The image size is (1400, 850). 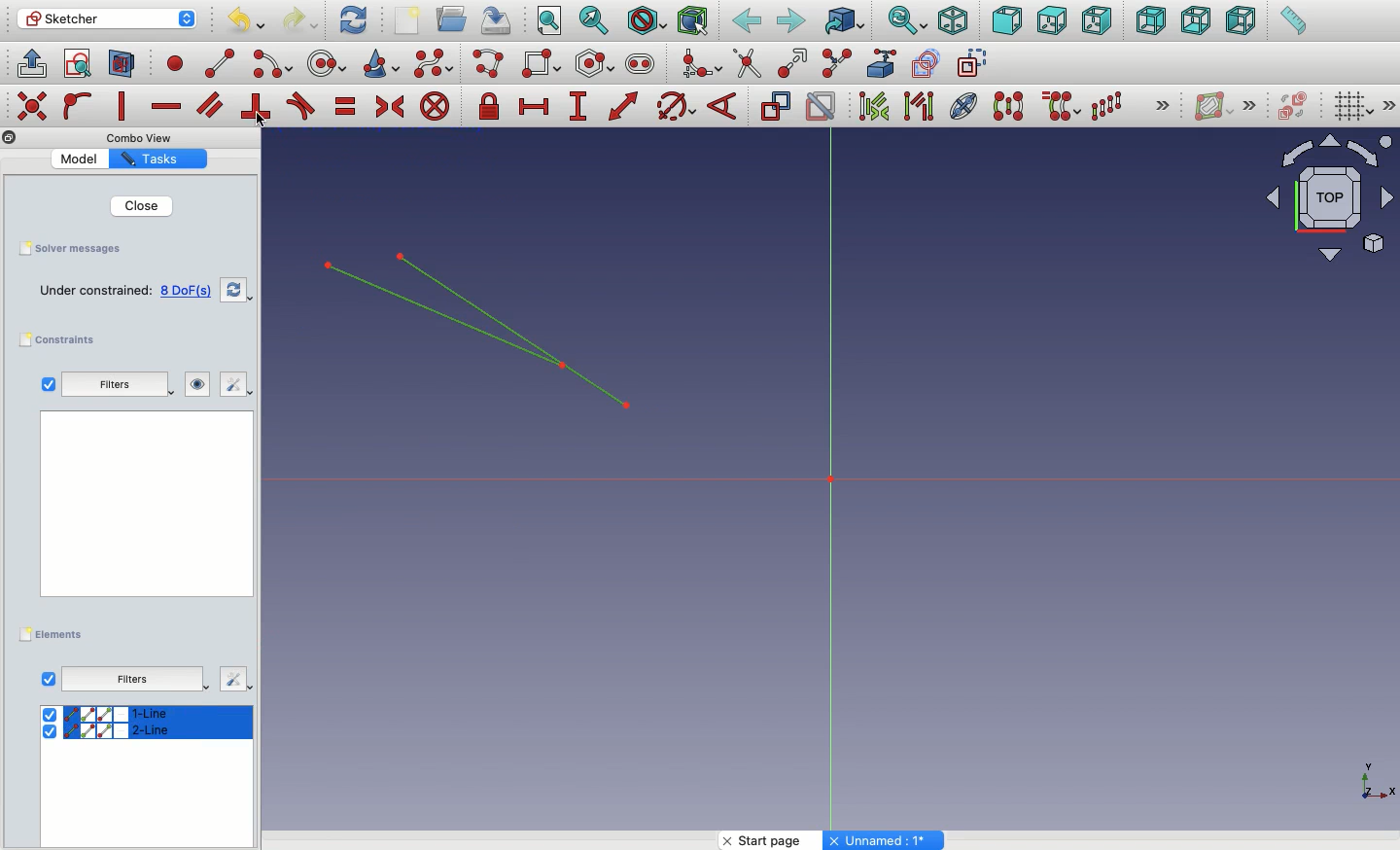 What do you see at coordinates (1006, 20) in the screenshot?
I see `Front` at bounding box center [1006, 20].